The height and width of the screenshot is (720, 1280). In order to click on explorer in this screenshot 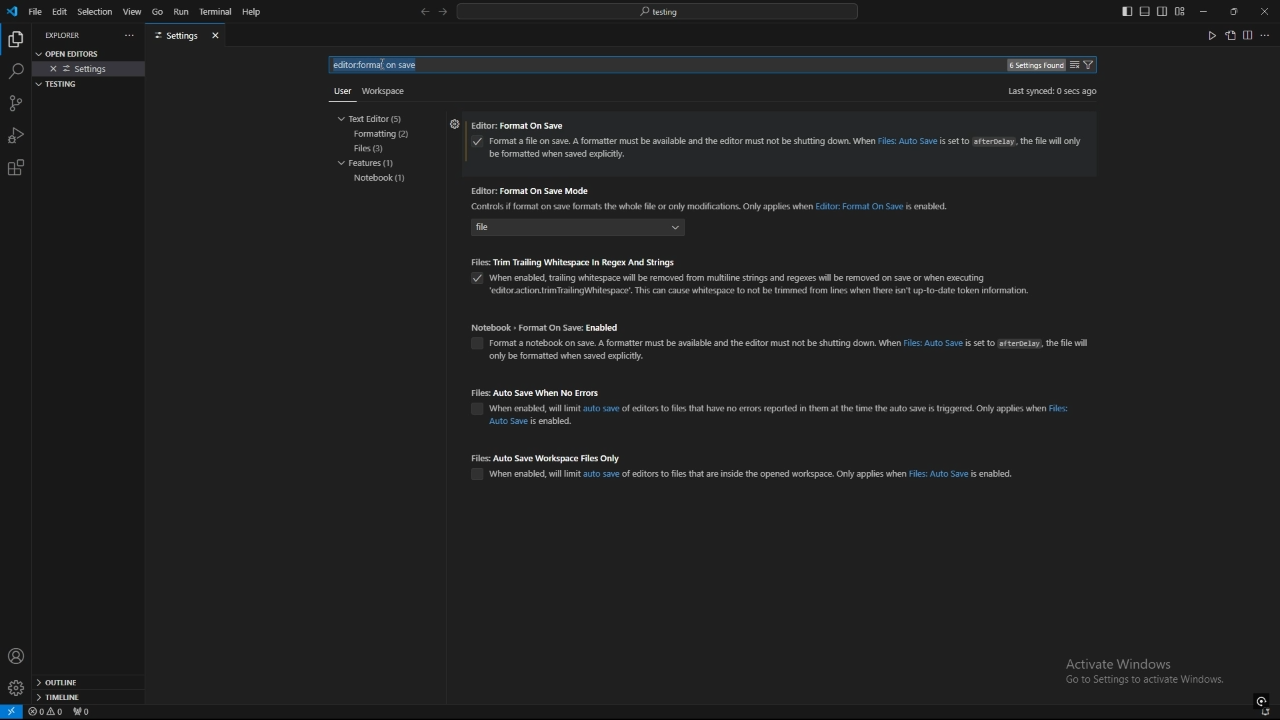, I will do `click(66, 35)`.